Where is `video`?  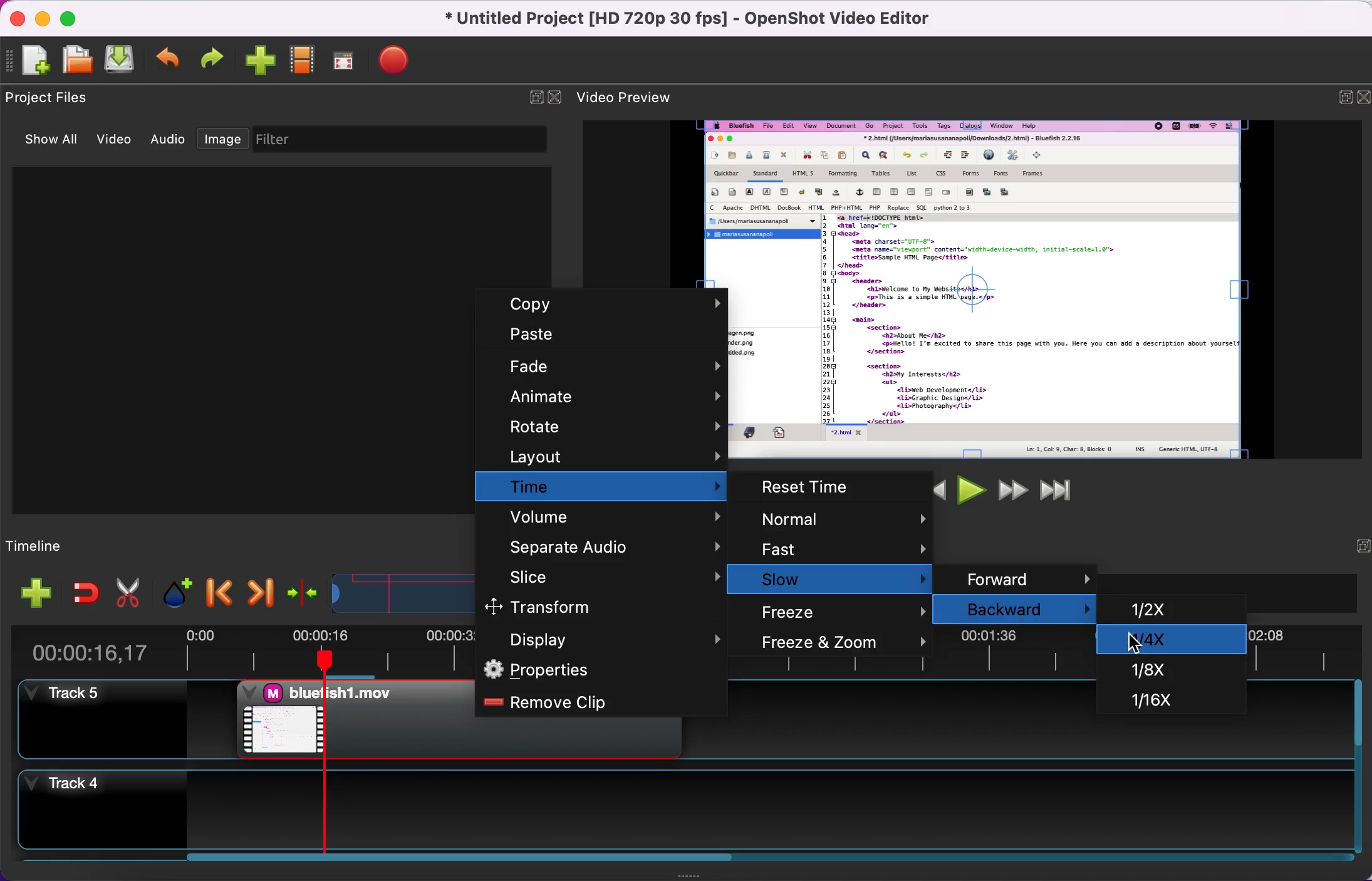 video is located at coordinates (119, 141).